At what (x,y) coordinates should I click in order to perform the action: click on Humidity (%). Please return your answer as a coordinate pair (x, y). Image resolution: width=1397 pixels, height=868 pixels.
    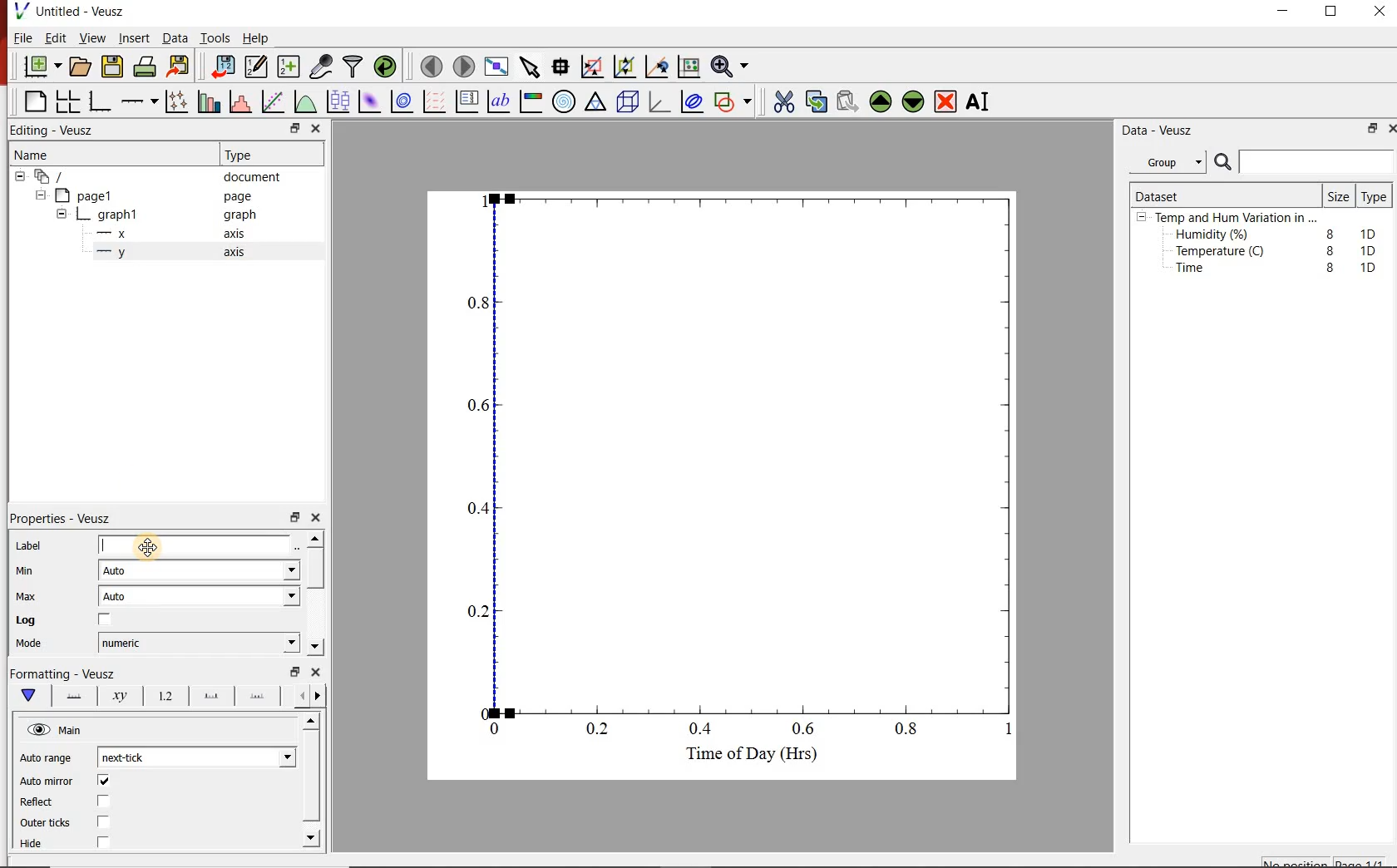
    Looking at the image, I should click on (1216, 235).